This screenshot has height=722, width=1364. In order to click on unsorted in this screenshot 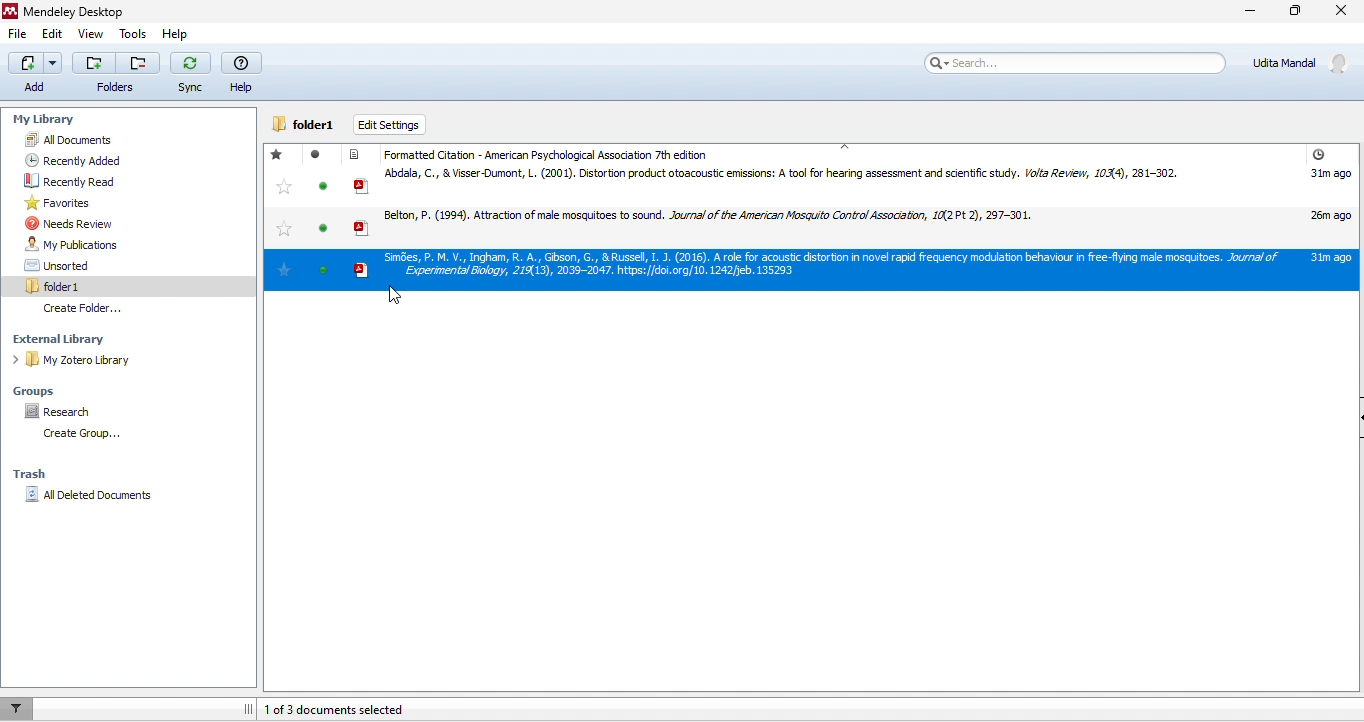, I will do `click(78, 265)`.